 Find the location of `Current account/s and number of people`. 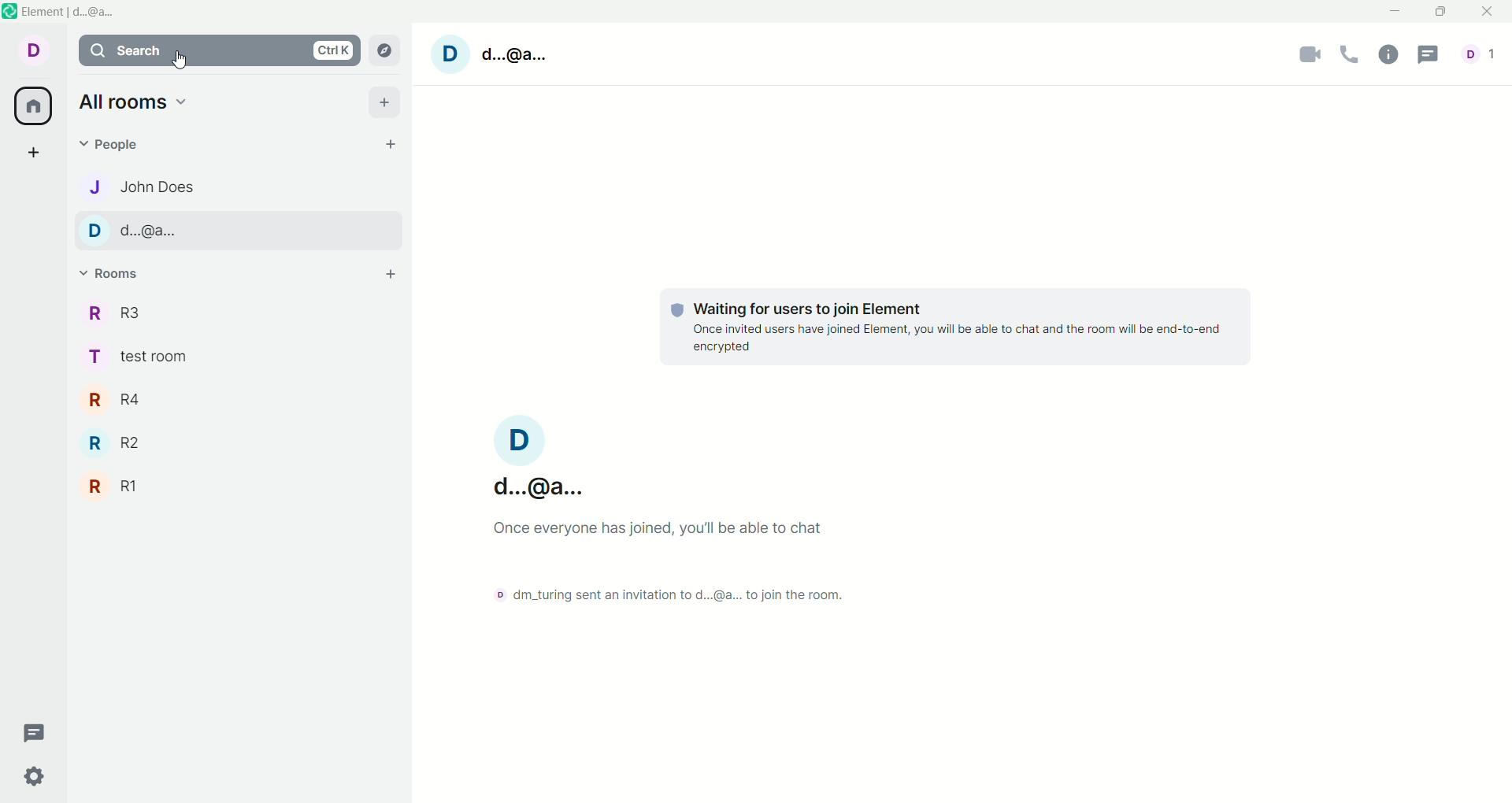

Current account/s and number of people is located at coordinates (1482, 54).